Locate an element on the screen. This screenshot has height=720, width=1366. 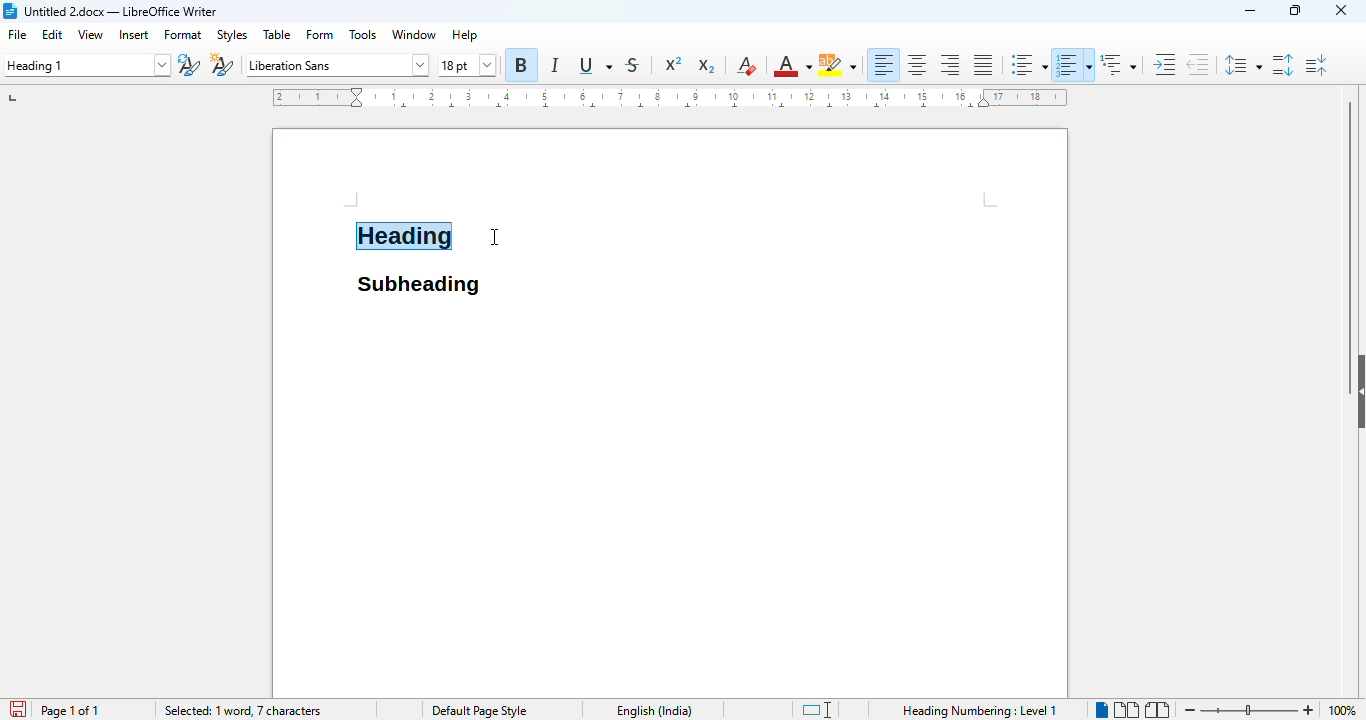
italic unselected is located at coordinates (552, 67).